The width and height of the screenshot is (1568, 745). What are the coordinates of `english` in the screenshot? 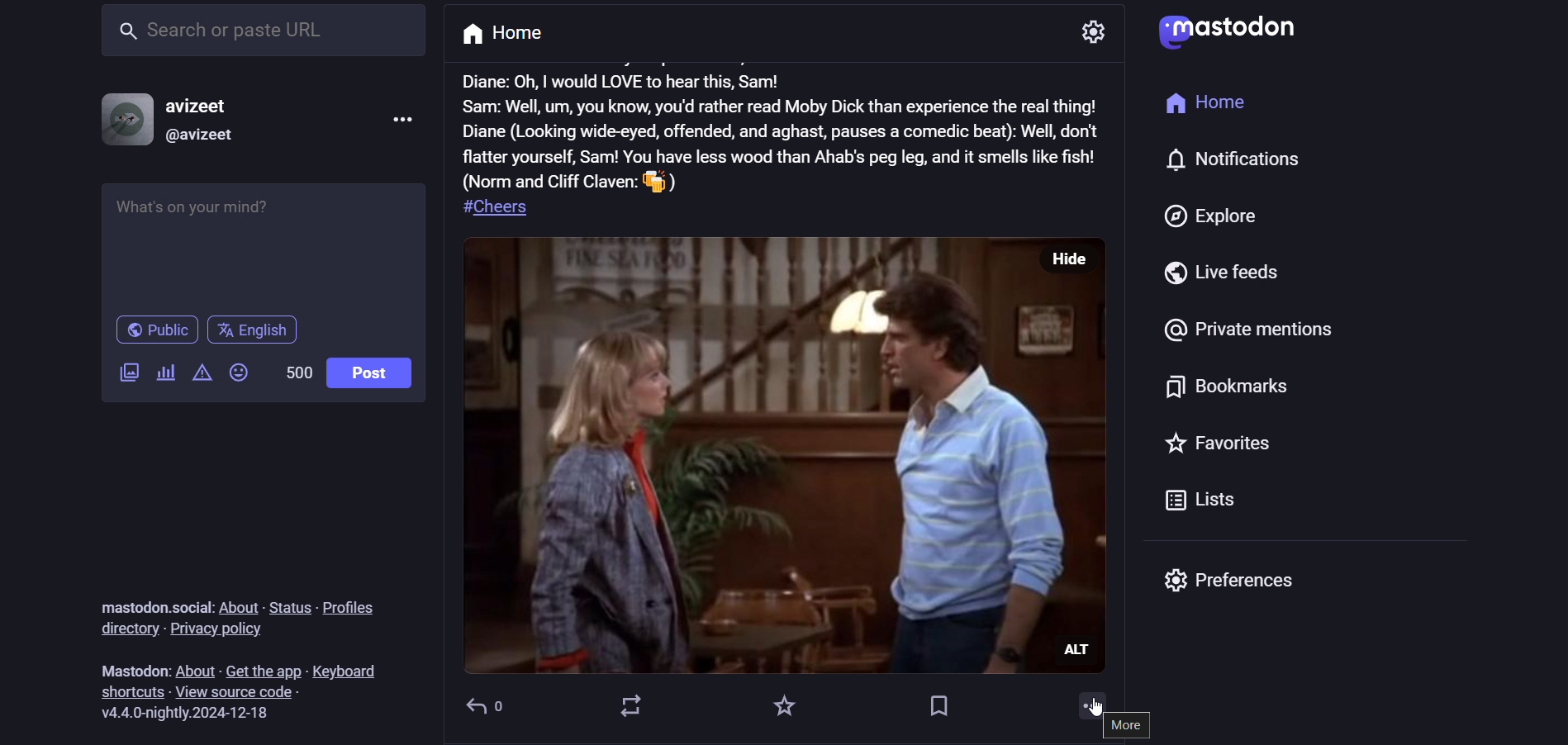 It's located at (256, 328).